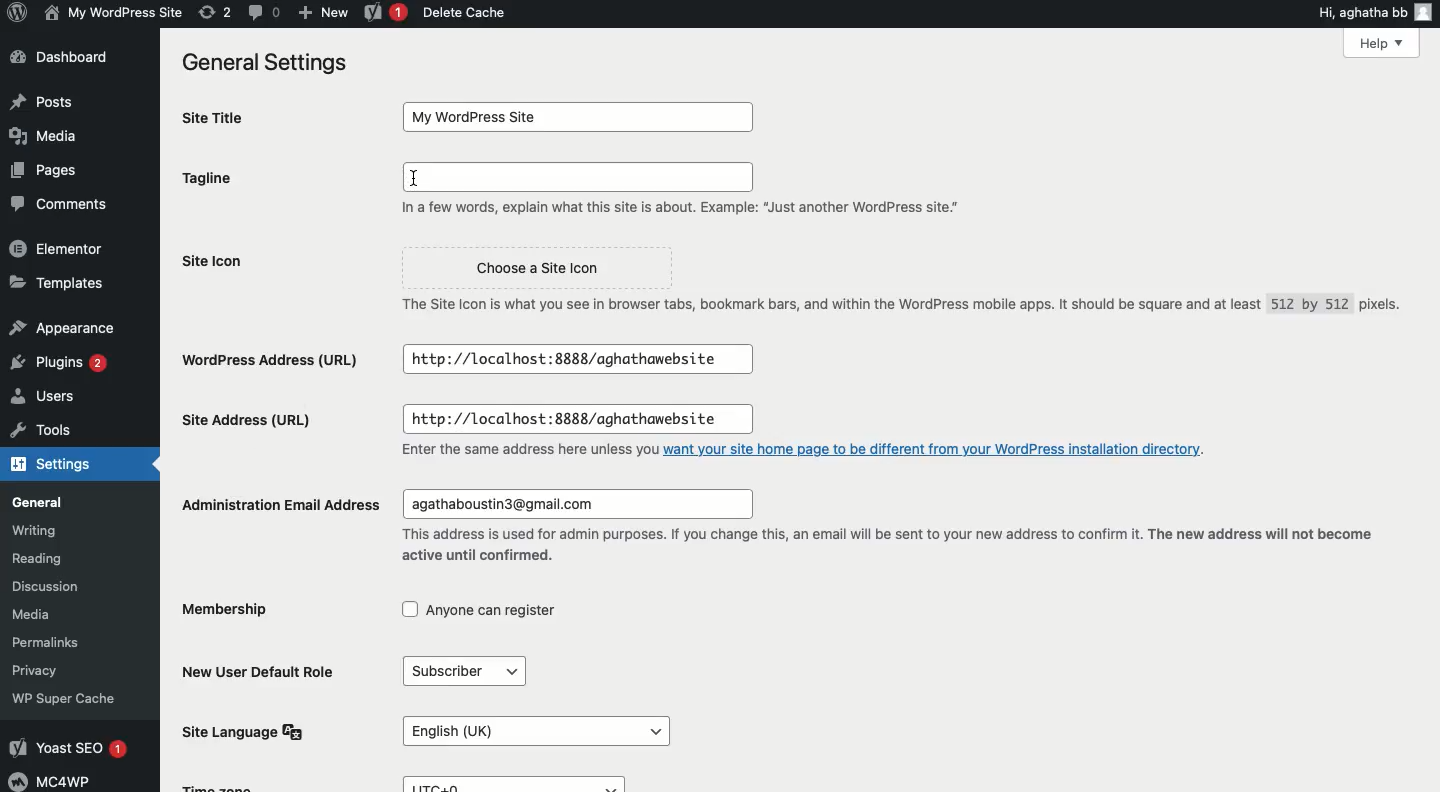 Image resolution: width=1440 pixels, height=792 pixels. What do you see at coordinates (382, 14) in the screenshot?
I see `Yoast` at bounding box center [382, 14].